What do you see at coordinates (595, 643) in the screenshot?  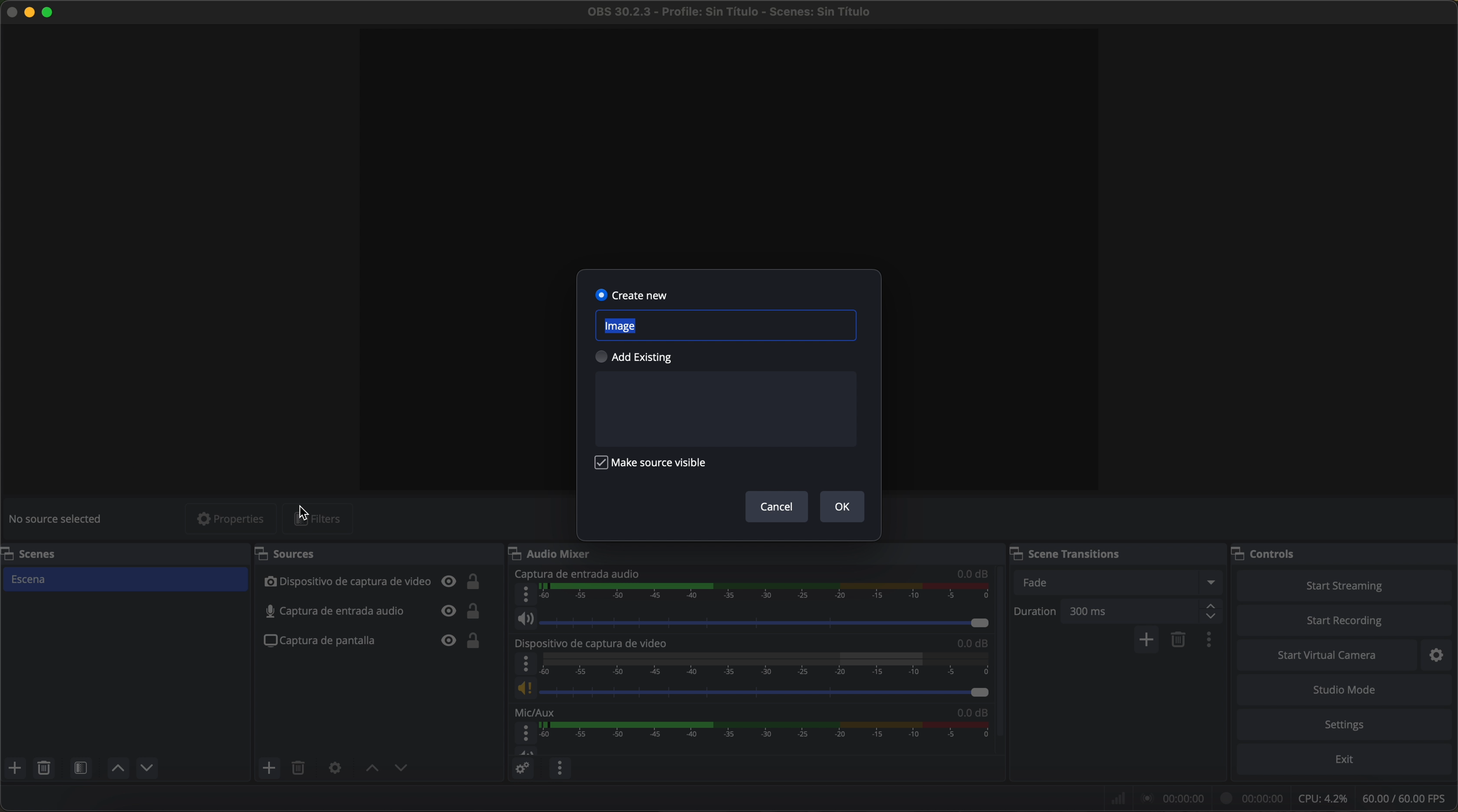 I see `video capture device` at bounding box center [595, 643].